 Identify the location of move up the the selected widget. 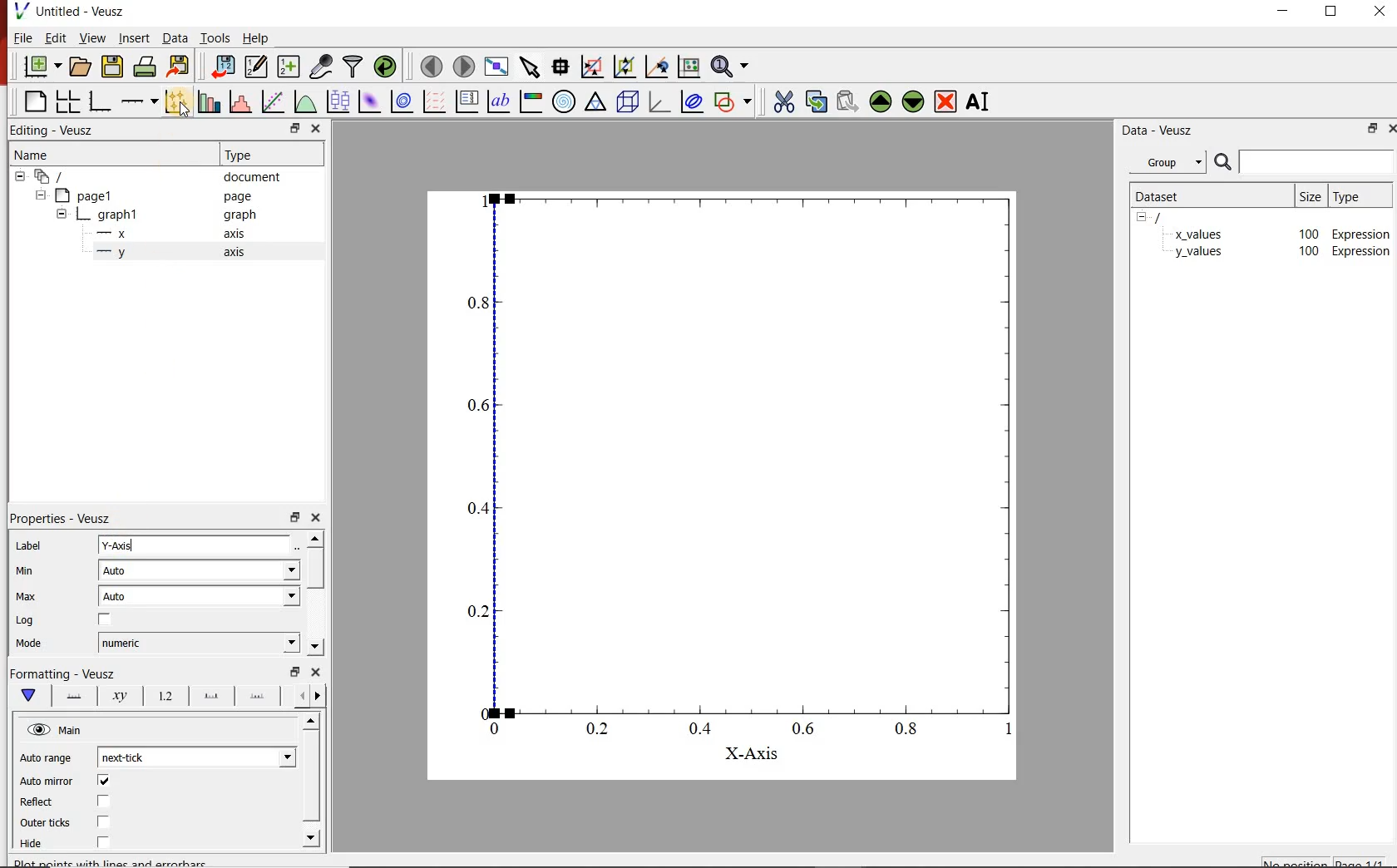
(878, 103).